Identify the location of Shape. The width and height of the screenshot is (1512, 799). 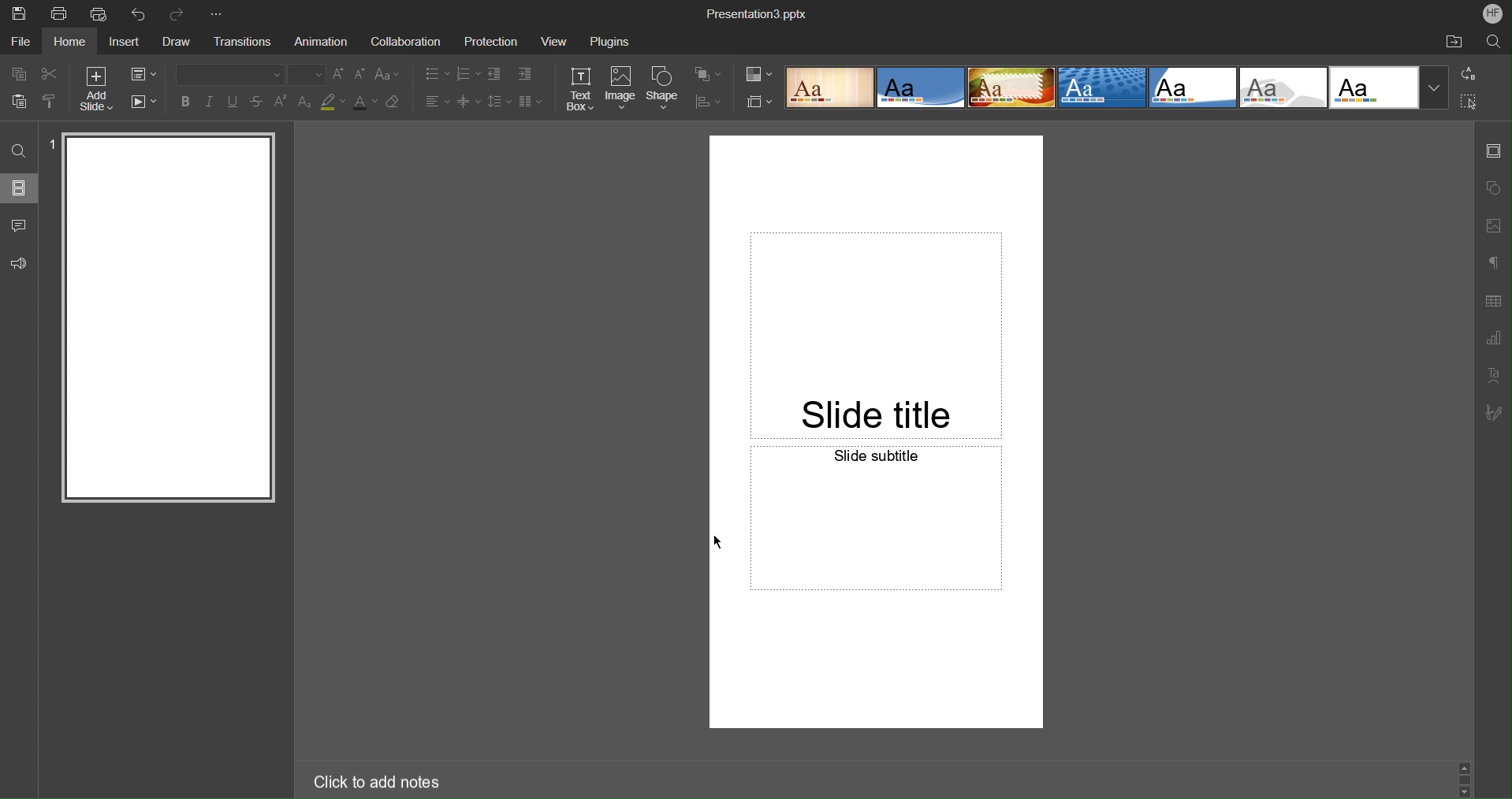
(665, 88).